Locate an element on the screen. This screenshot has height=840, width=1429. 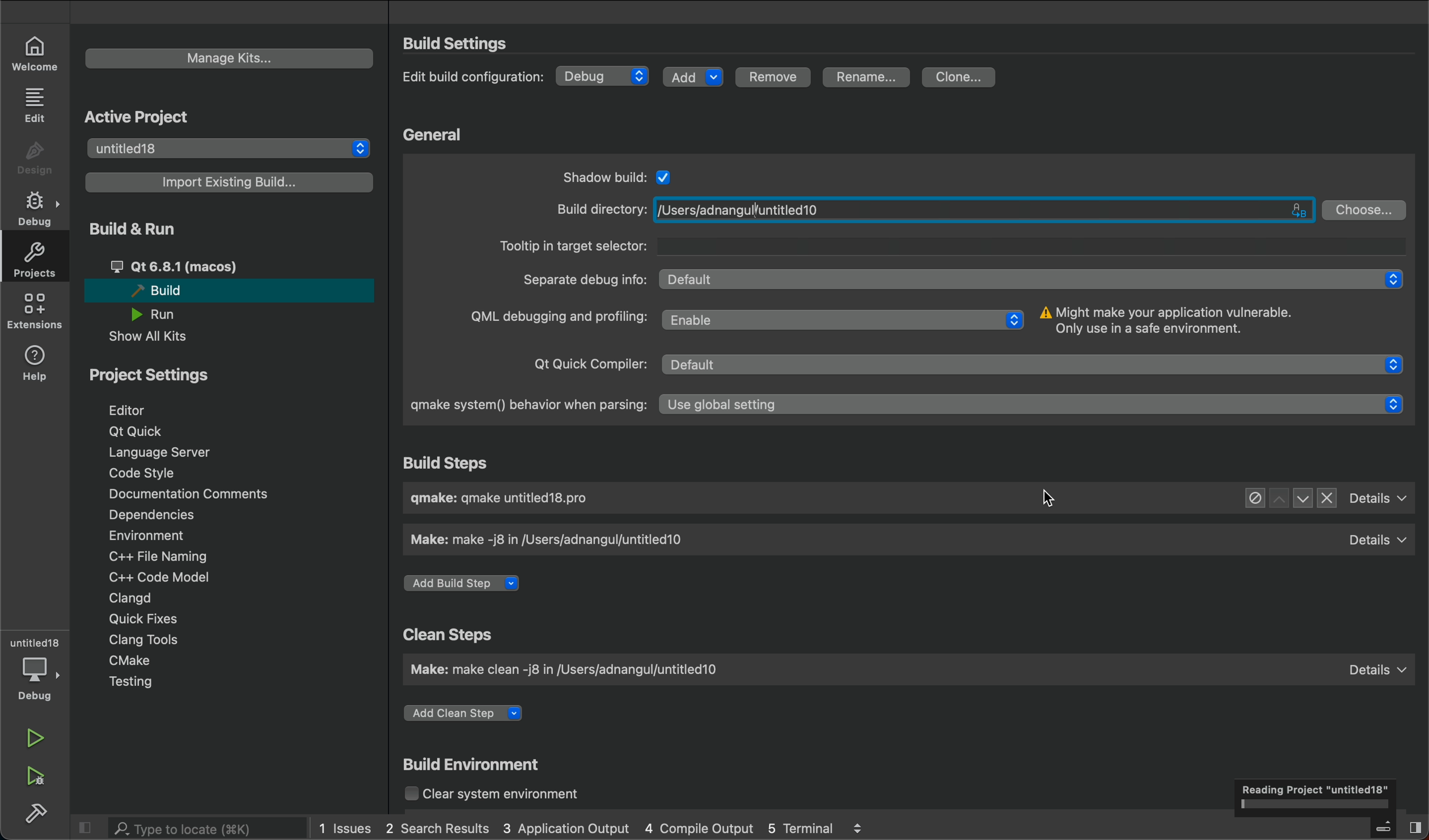
run is located at coordinates (35, 738).